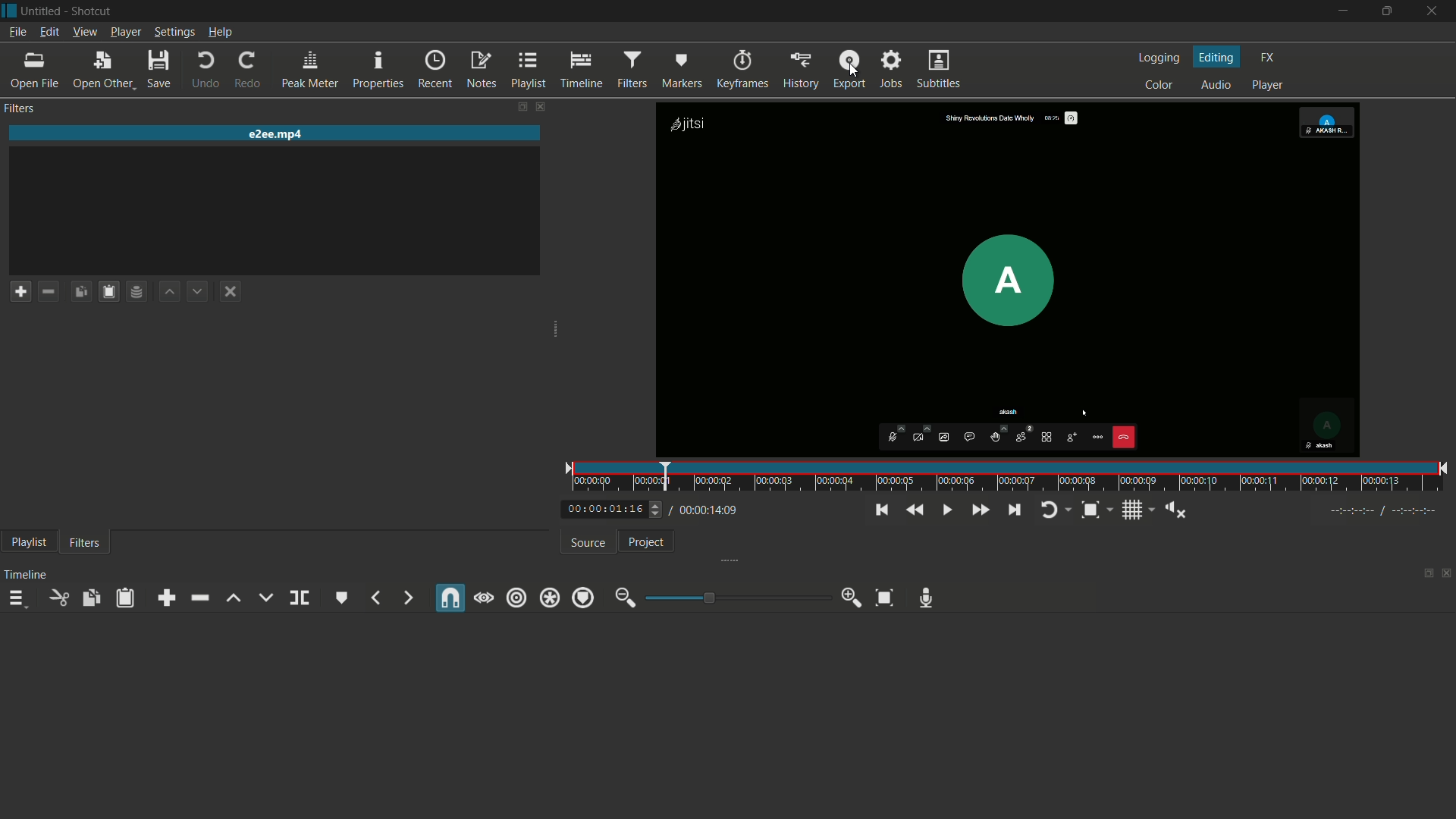 Image resolution: width=1456 pixels, height=819 pixels. What do you see at coordinates (1132, 510) in the screenshot?
I see `toggle grid` at bounding box center [1132, 510].